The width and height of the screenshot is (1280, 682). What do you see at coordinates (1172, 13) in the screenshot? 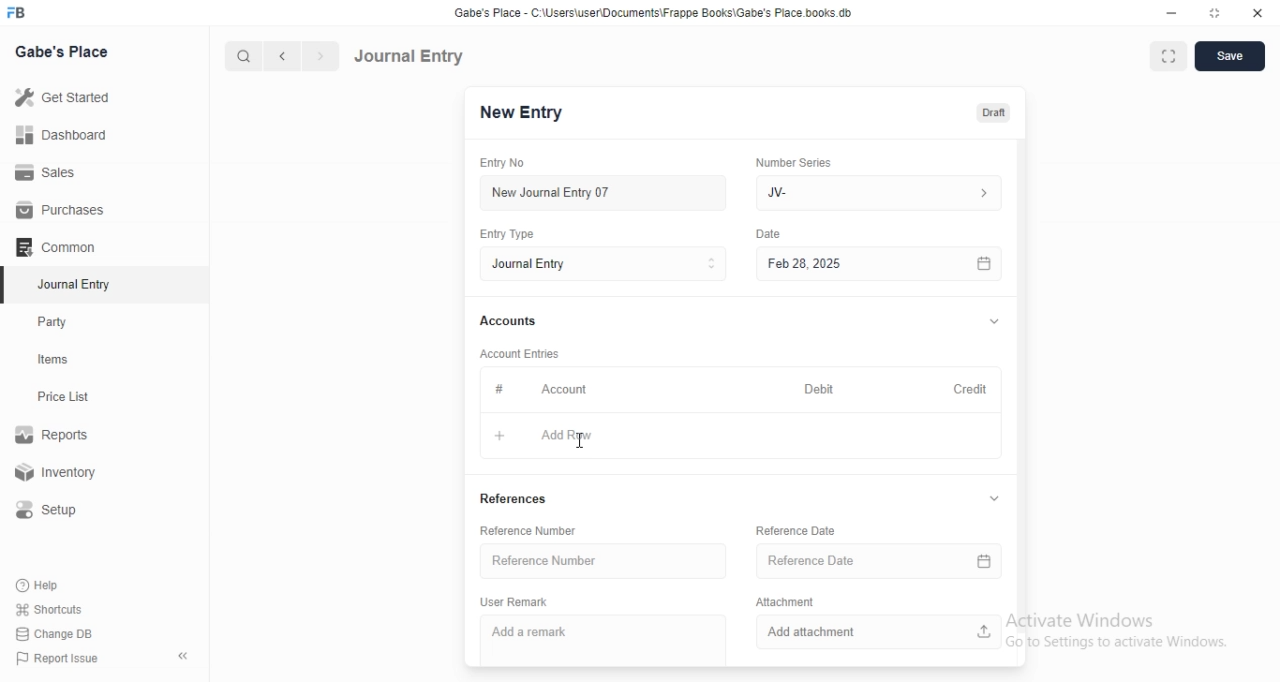
I see `minimize` at bounding box center [1172, 13].